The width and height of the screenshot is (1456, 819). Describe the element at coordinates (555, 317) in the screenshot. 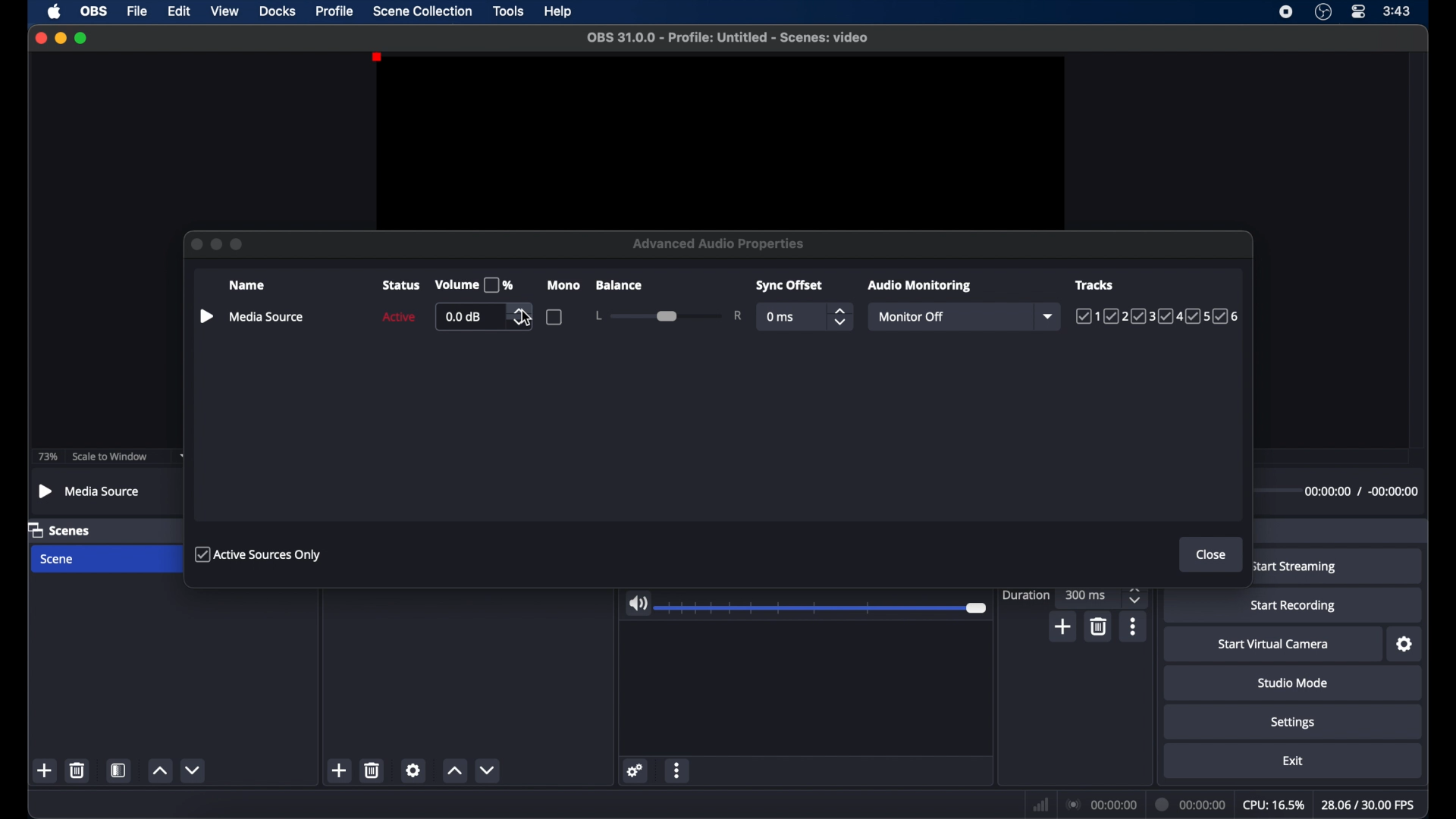

I see `checkbox` at that location.